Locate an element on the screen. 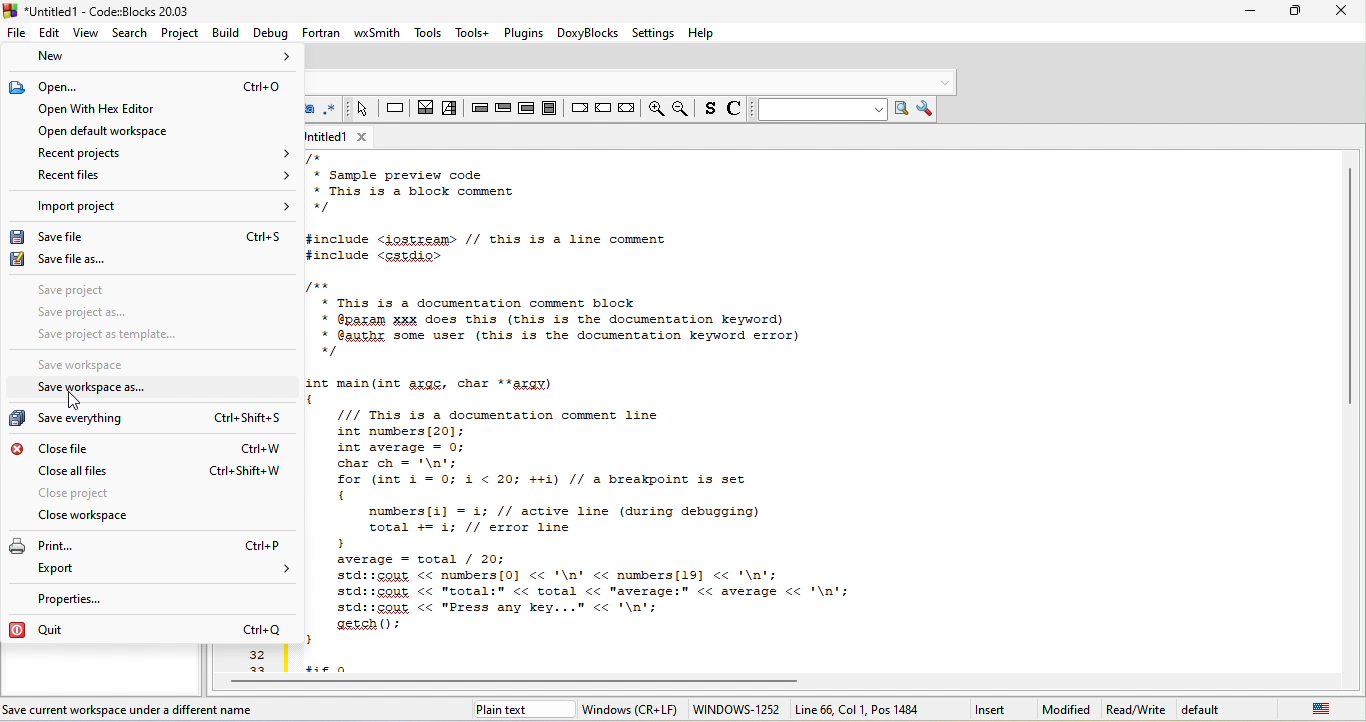 Image resolution: width=1366 pixels, height=722 pixels. tools is located at coordinates (428, 33).